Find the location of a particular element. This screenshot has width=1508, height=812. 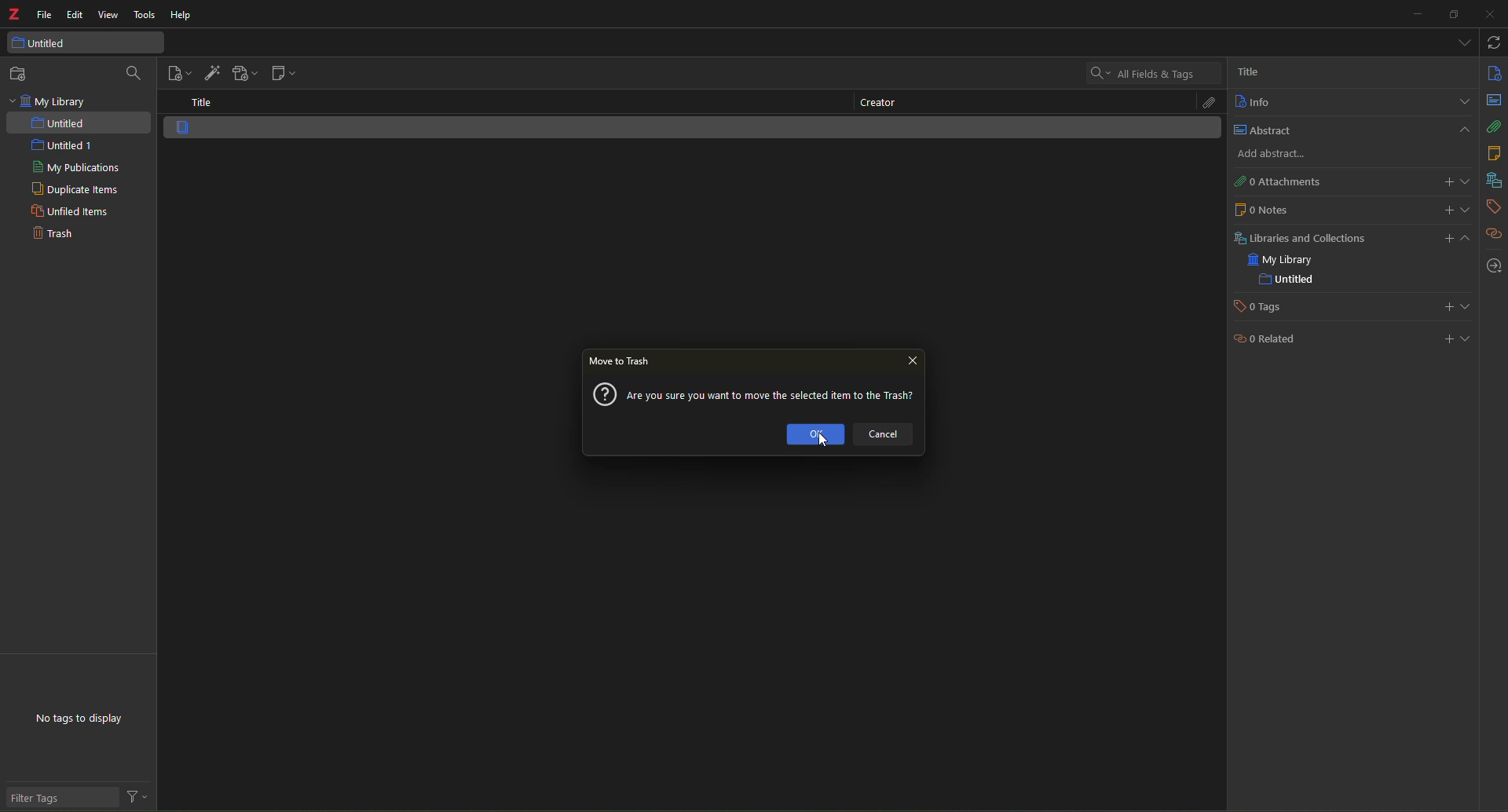

item is located at coordinates (206, 128).